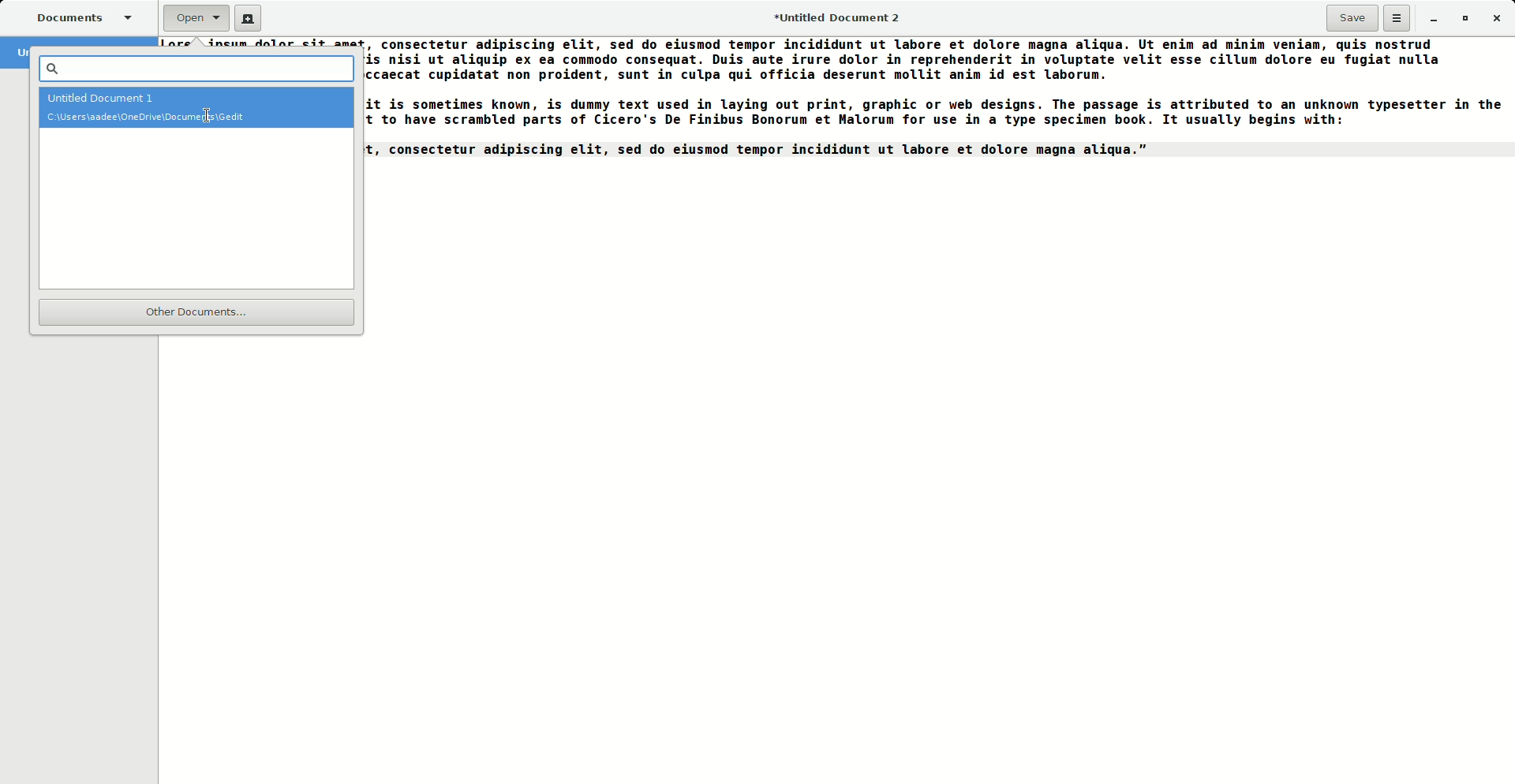 Image resolution: width=1515 pixels, height=784 pixels. I want to click on New, so click(247, 19).